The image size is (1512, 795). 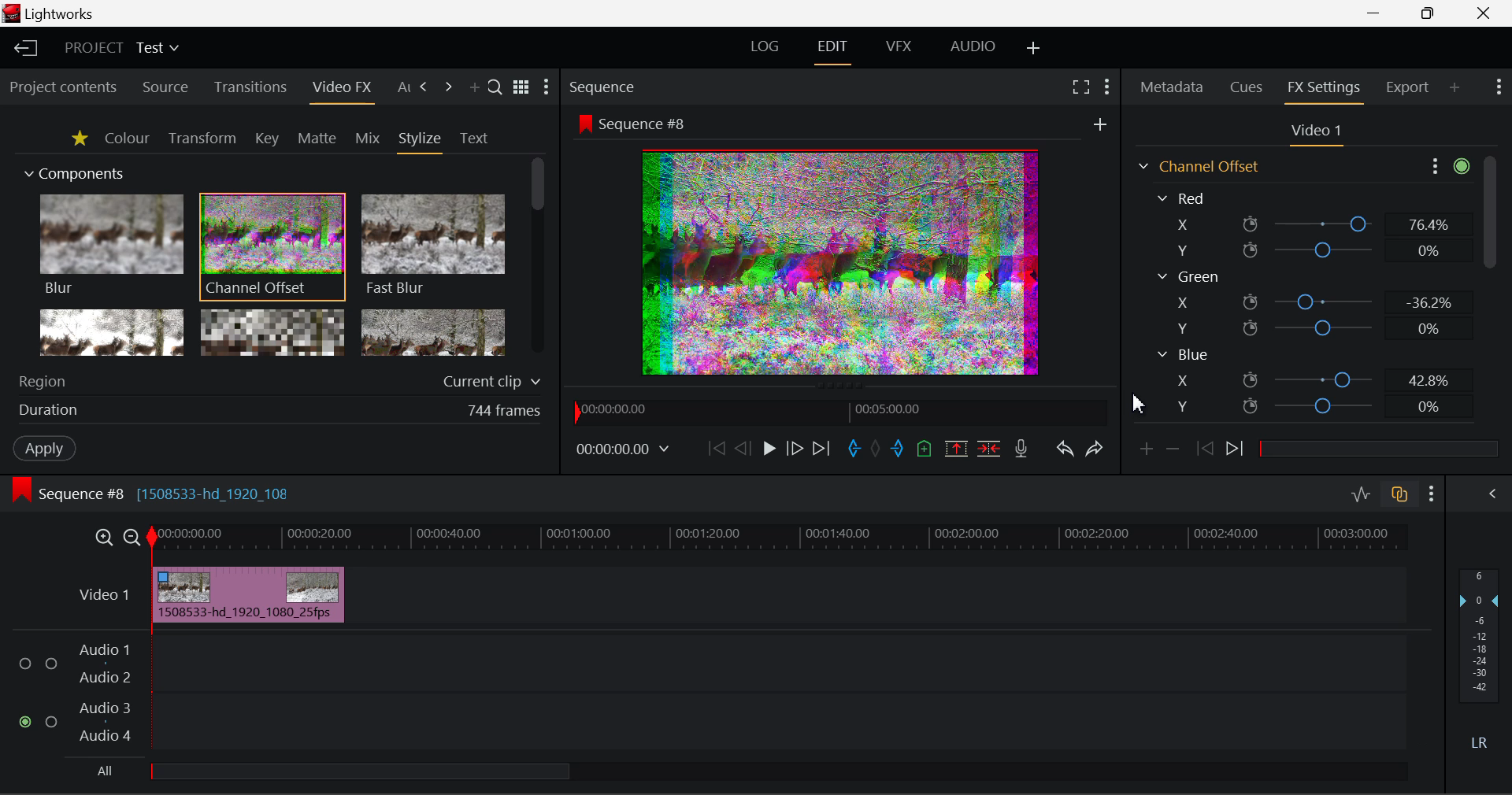 I want to click on Mark In, so click(x=854, y=449).